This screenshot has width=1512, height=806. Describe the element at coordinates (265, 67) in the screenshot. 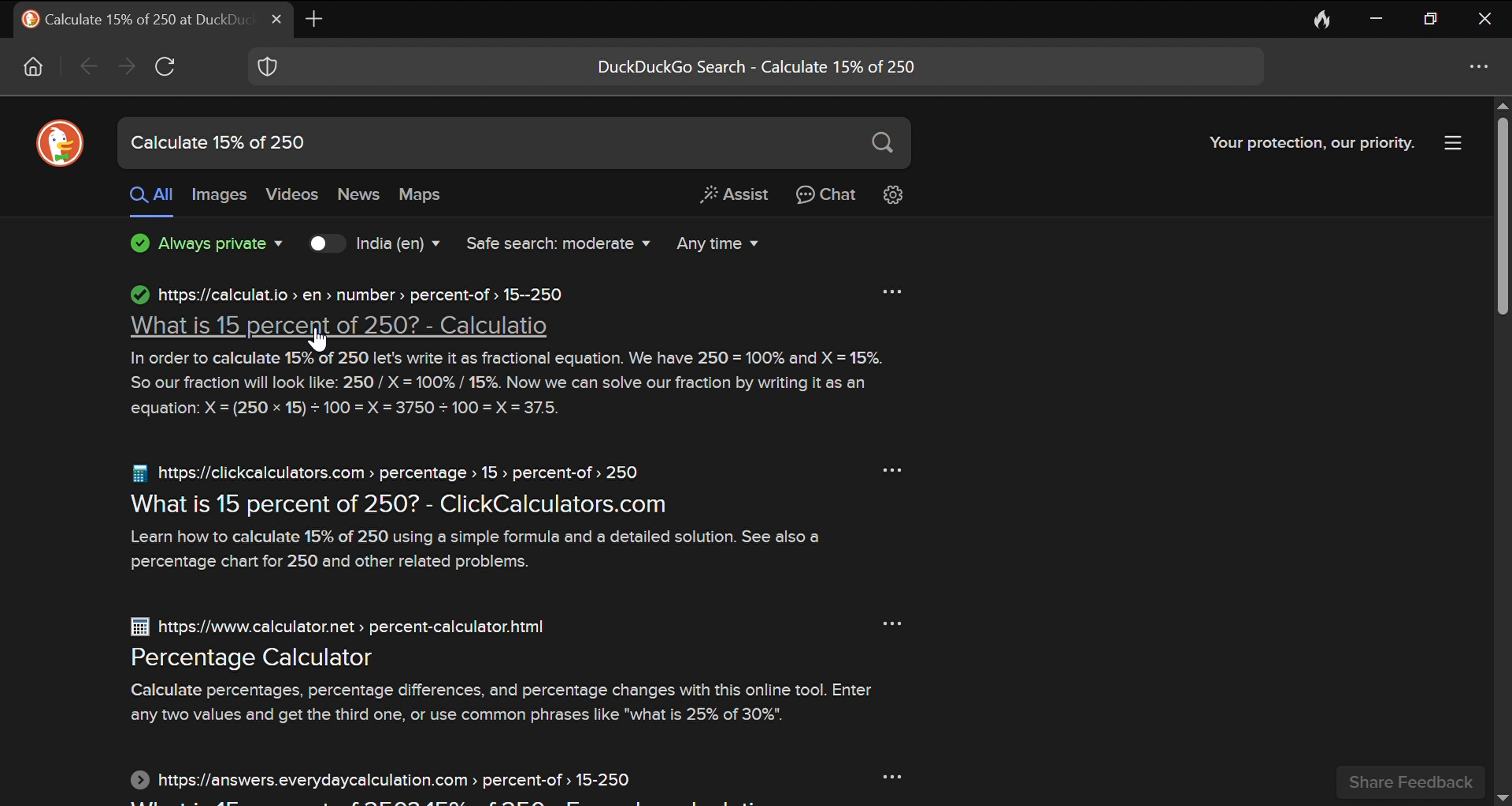

I see `shield logo` at that location.